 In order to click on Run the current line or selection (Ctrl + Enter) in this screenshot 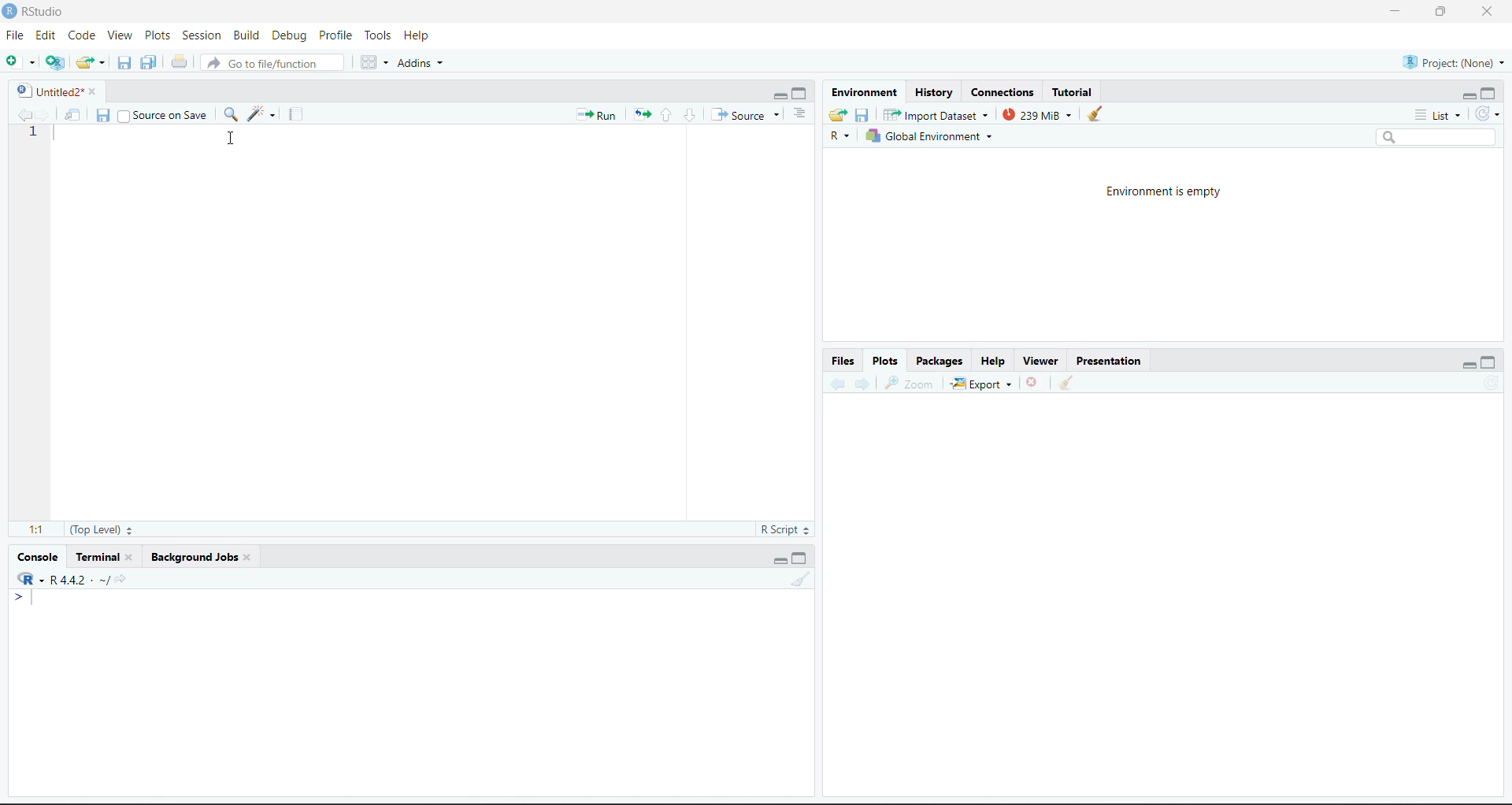, I will do `click(597, 113)`.